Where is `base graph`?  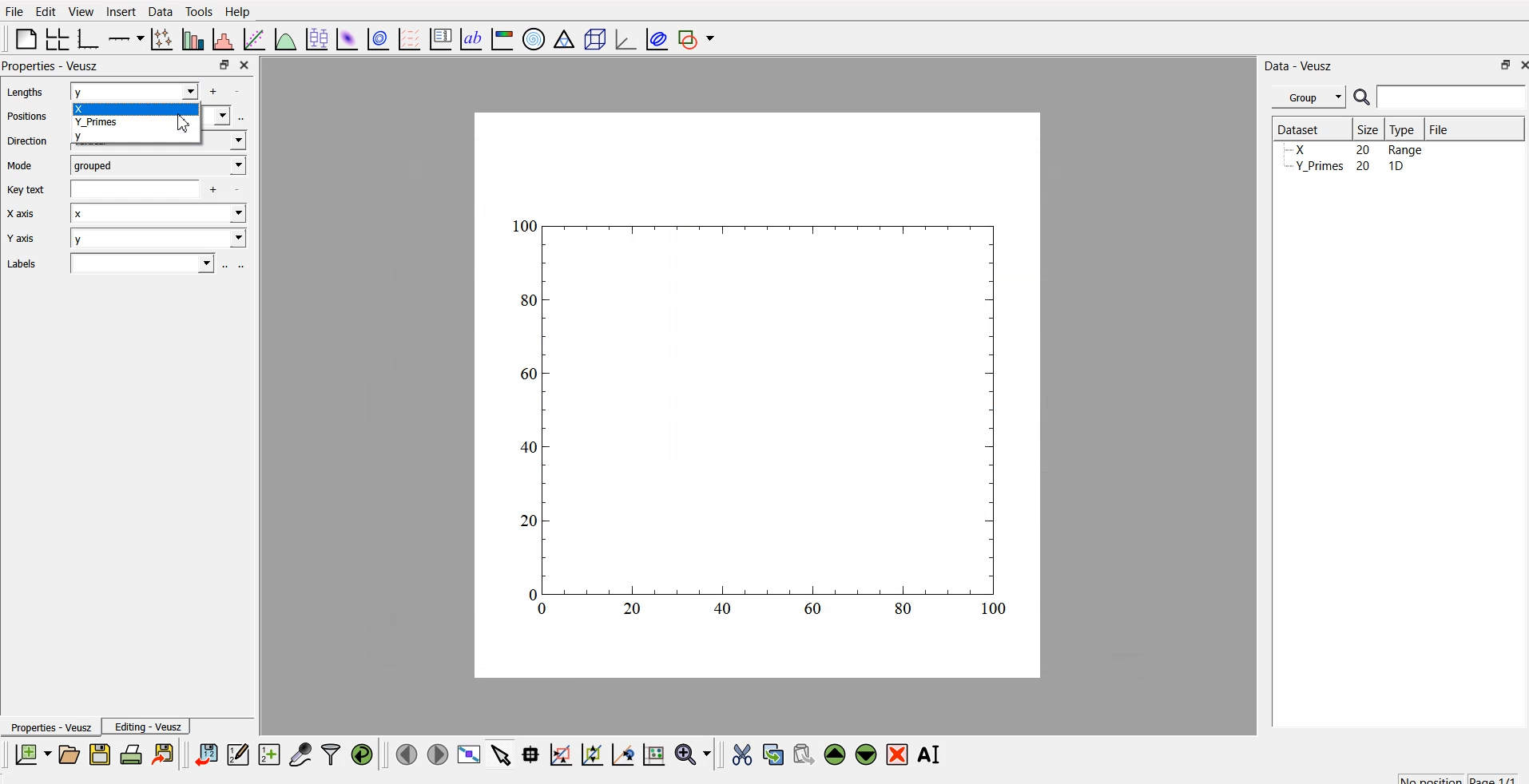 base graph is located at coordinates (85, 37).